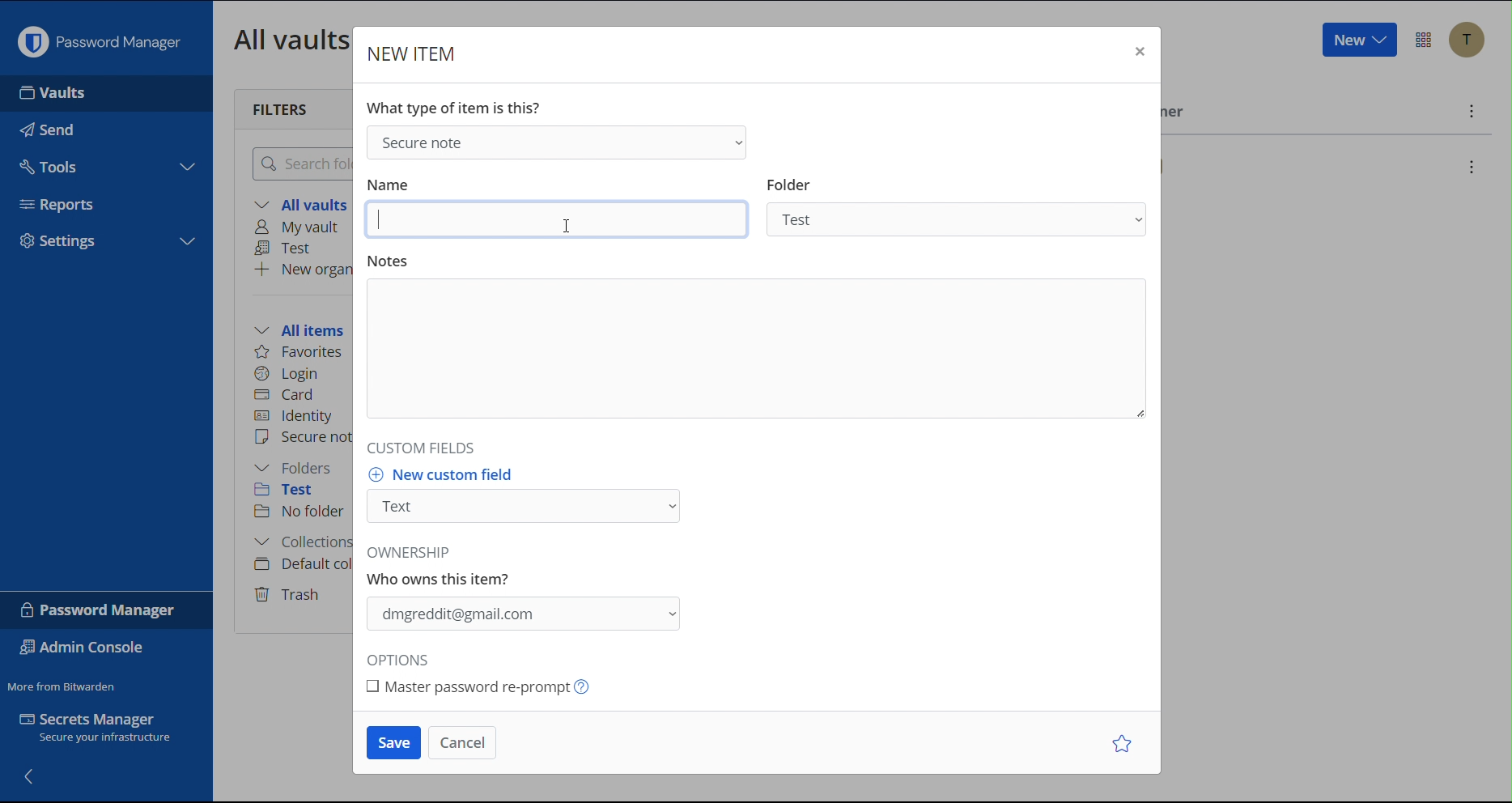  What do you see at coordinates (393, 743) in the screenshot?
I see `Save` at bounding box center [393, 743].